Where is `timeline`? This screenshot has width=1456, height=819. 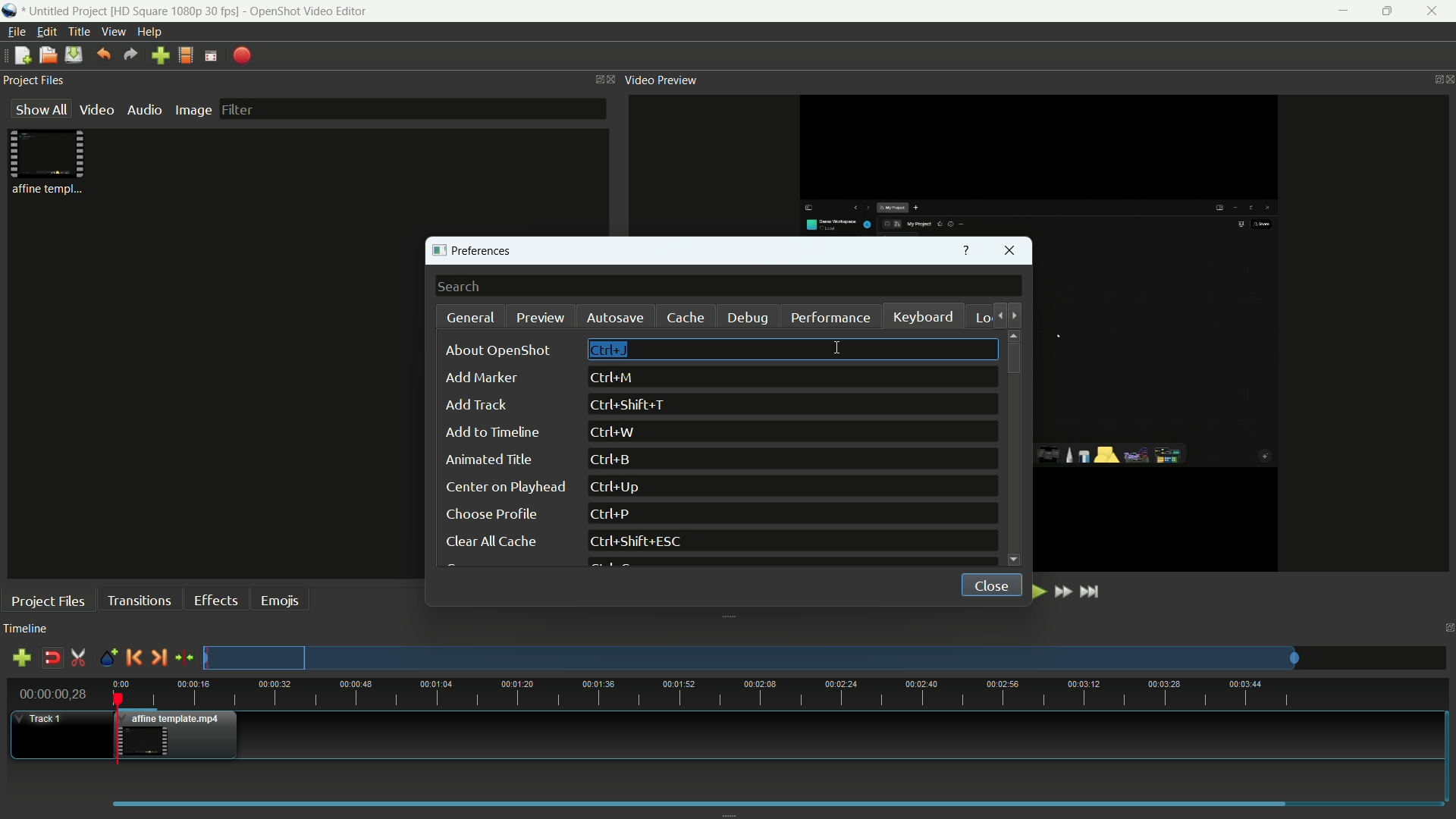
timeline is located at coordinates (26, 629).